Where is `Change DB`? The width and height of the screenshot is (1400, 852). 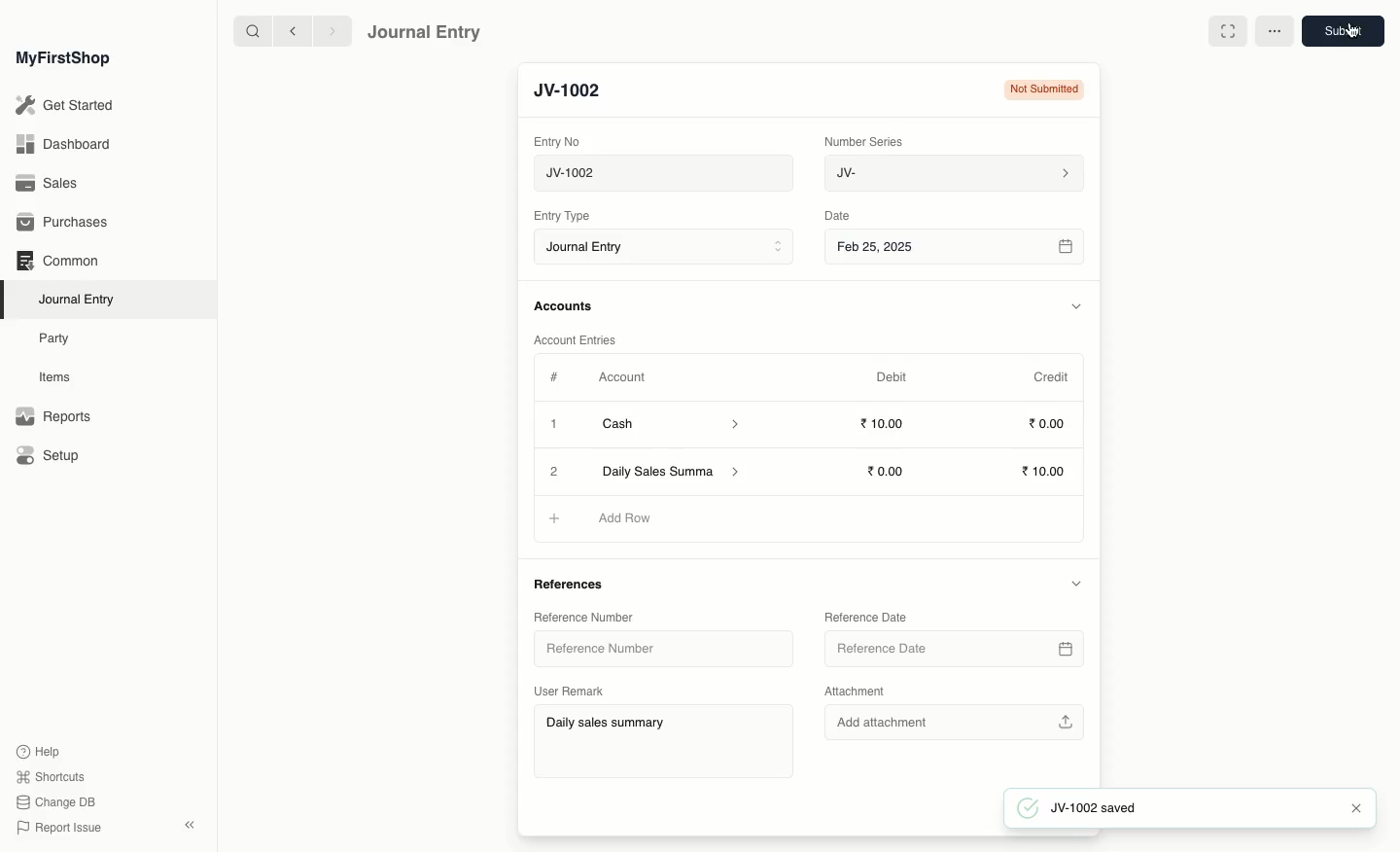
Change DB is located at coordinates (56, 803).